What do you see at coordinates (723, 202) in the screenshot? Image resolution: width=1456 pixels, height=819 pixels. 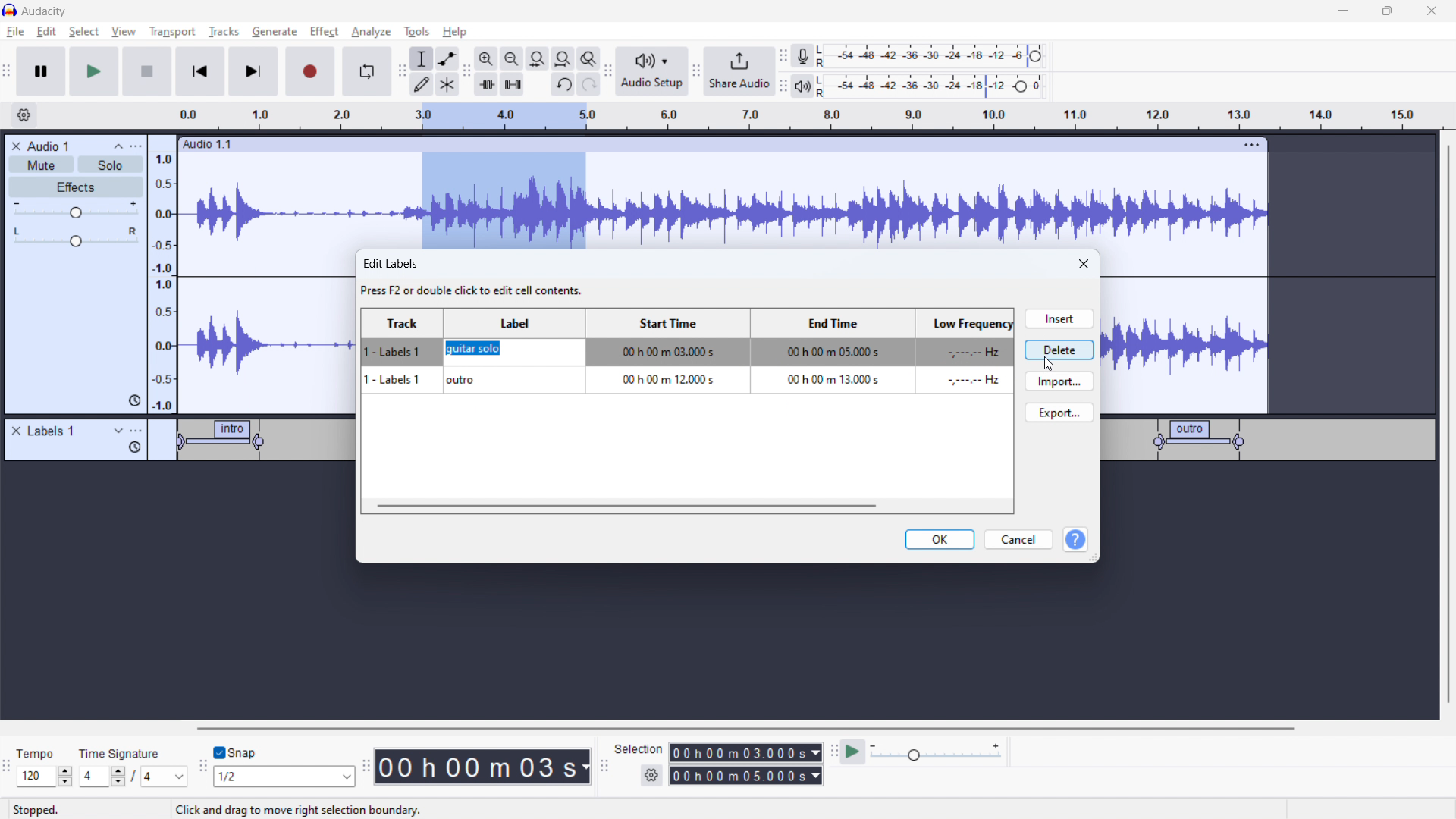 I see `audio wave` at bounding box center [723, 202].